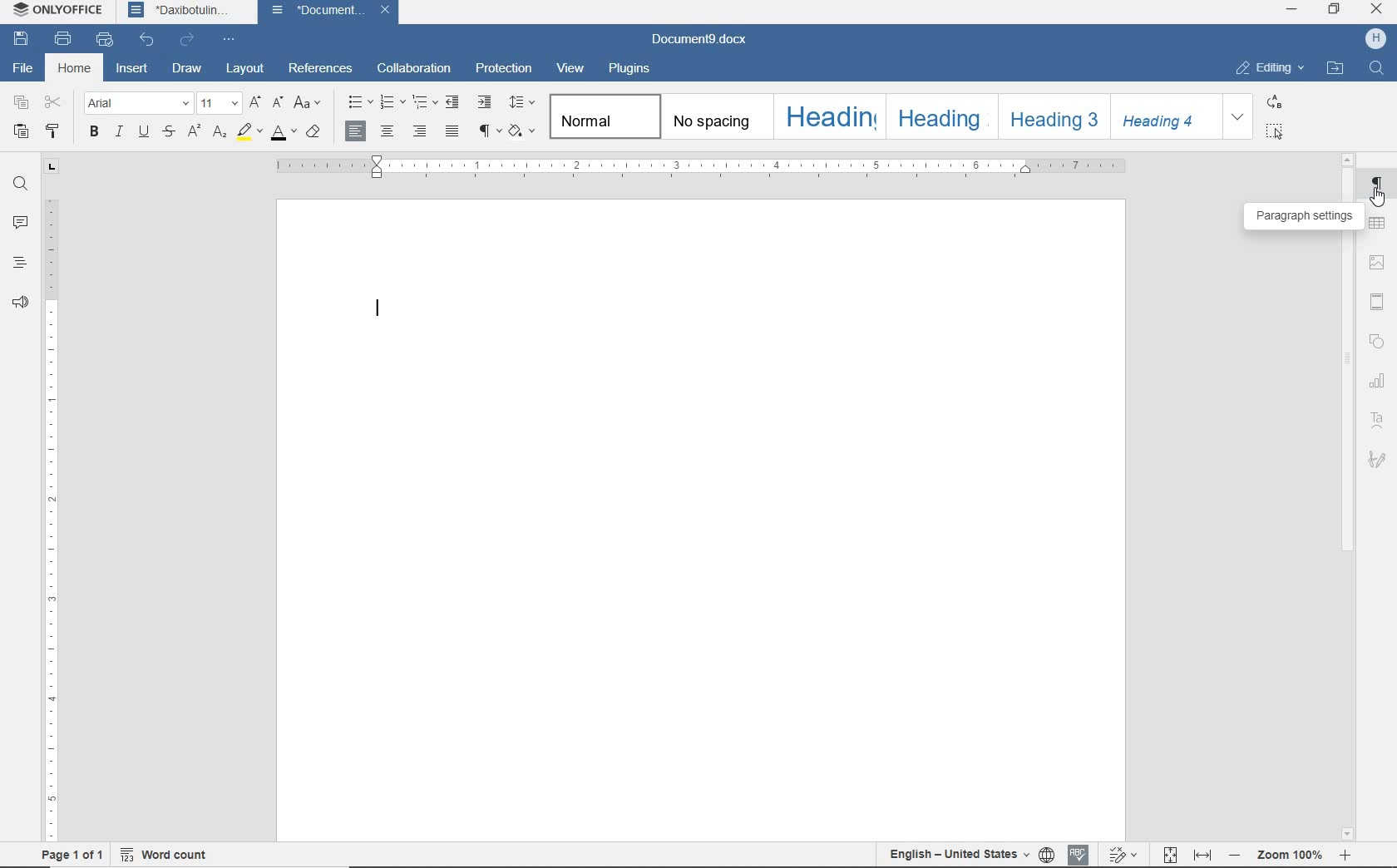  Describe the element at coordinates (143, 133) in the screenshot. I see `underline` at that location.